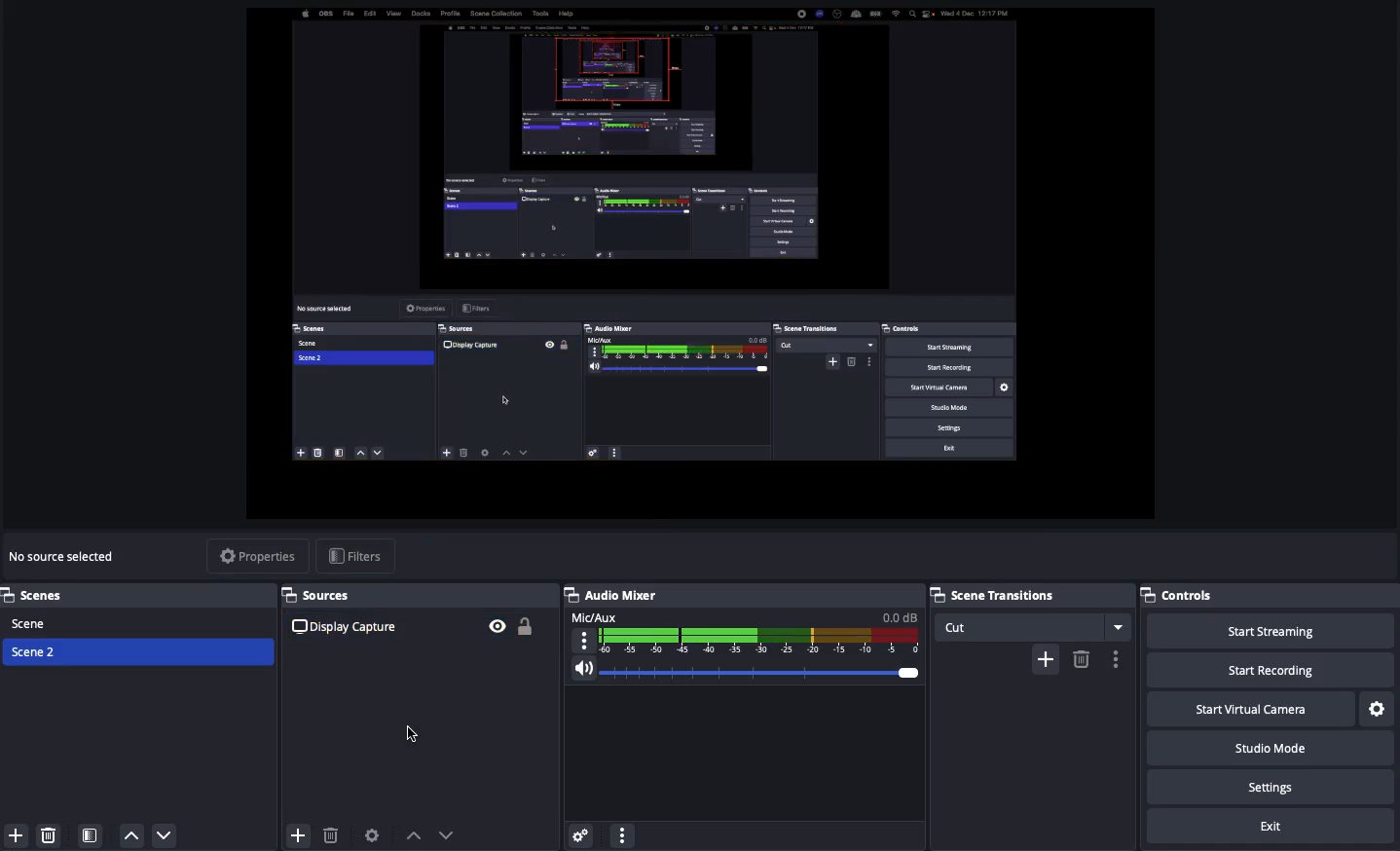 The height and width of the screenshot is (851, 1400). What do you see at coordinates (1045, 659) in the screenshot?
I see `add` at bounding box center [1045, 659].